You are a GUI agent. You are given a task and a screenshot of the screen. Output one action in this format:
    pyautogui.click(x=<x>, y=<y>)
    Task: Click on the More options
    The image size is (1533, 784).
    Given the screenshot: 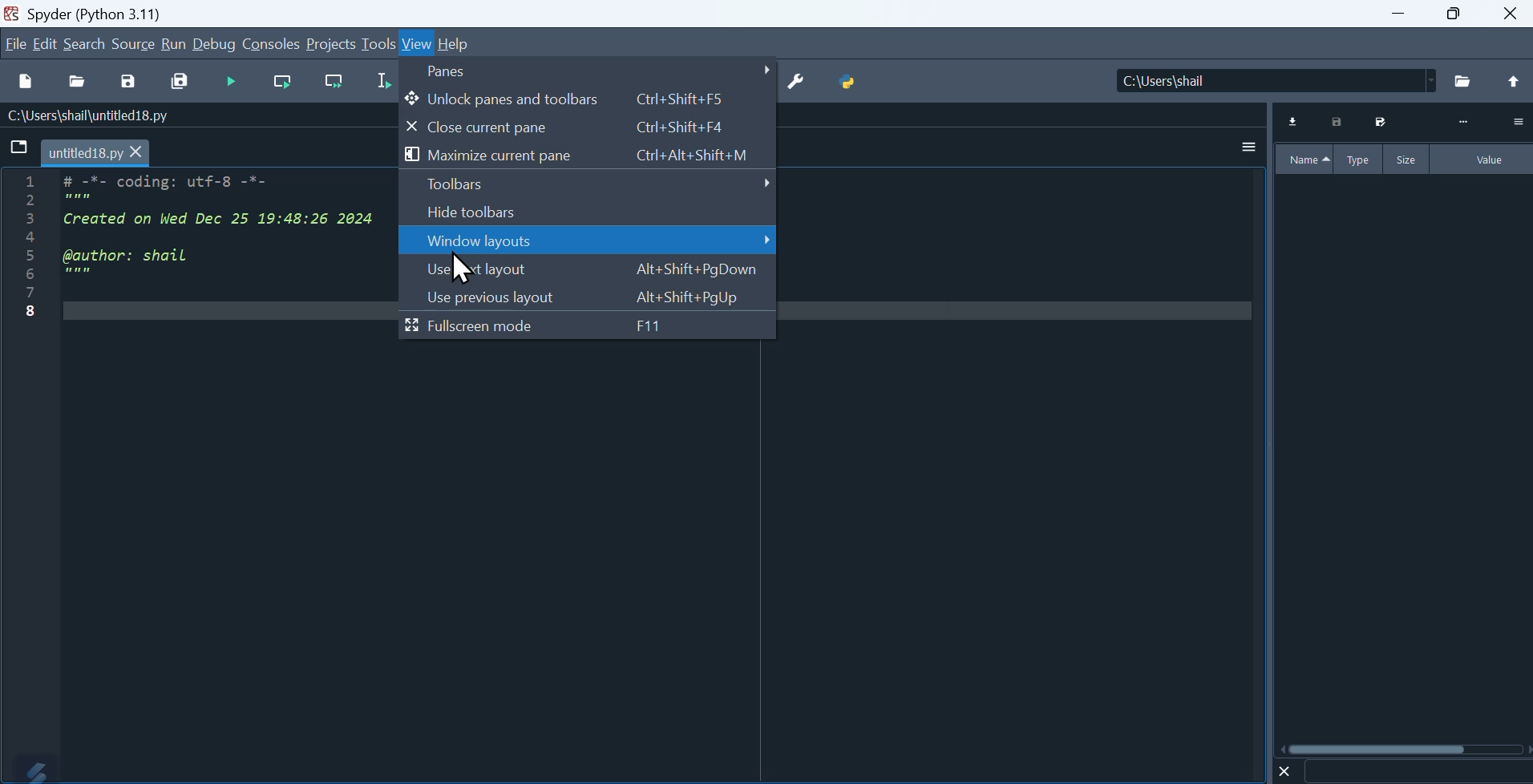 What is the action you would take?
    pyautogui.click(x=1249, y=146)
    